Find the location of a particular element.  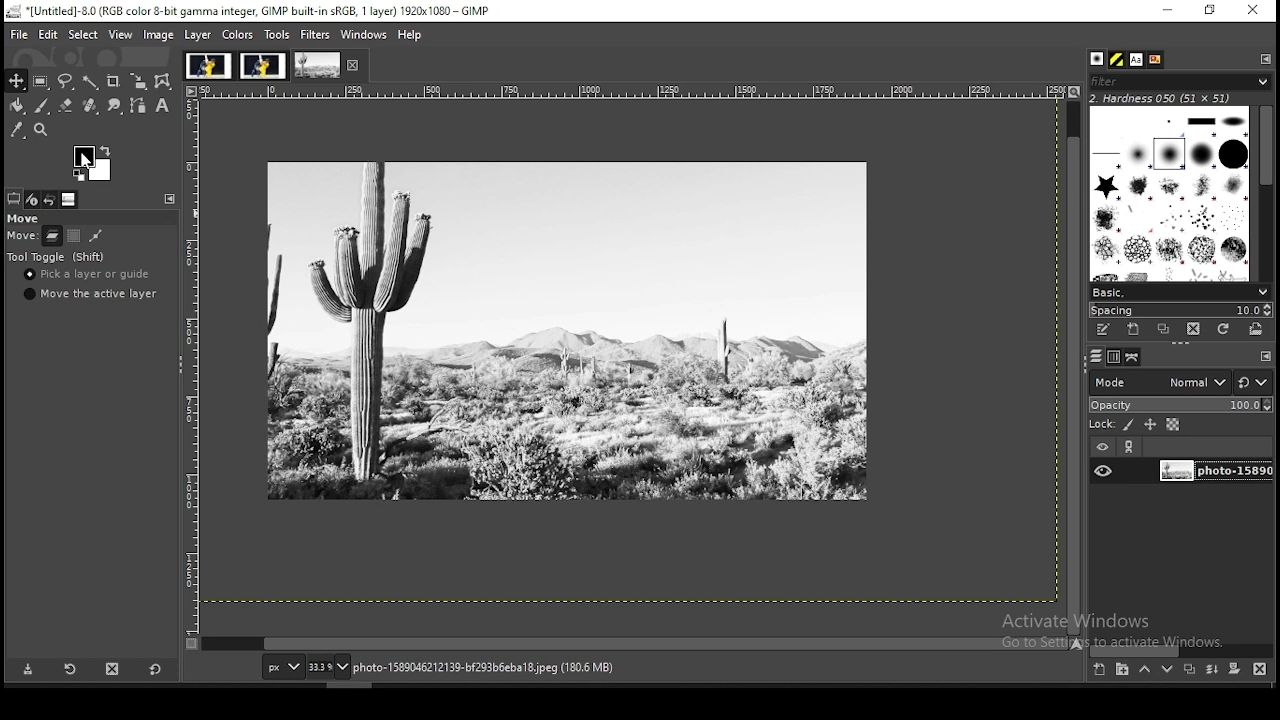

tool selection is located at coordinates (14, 198).